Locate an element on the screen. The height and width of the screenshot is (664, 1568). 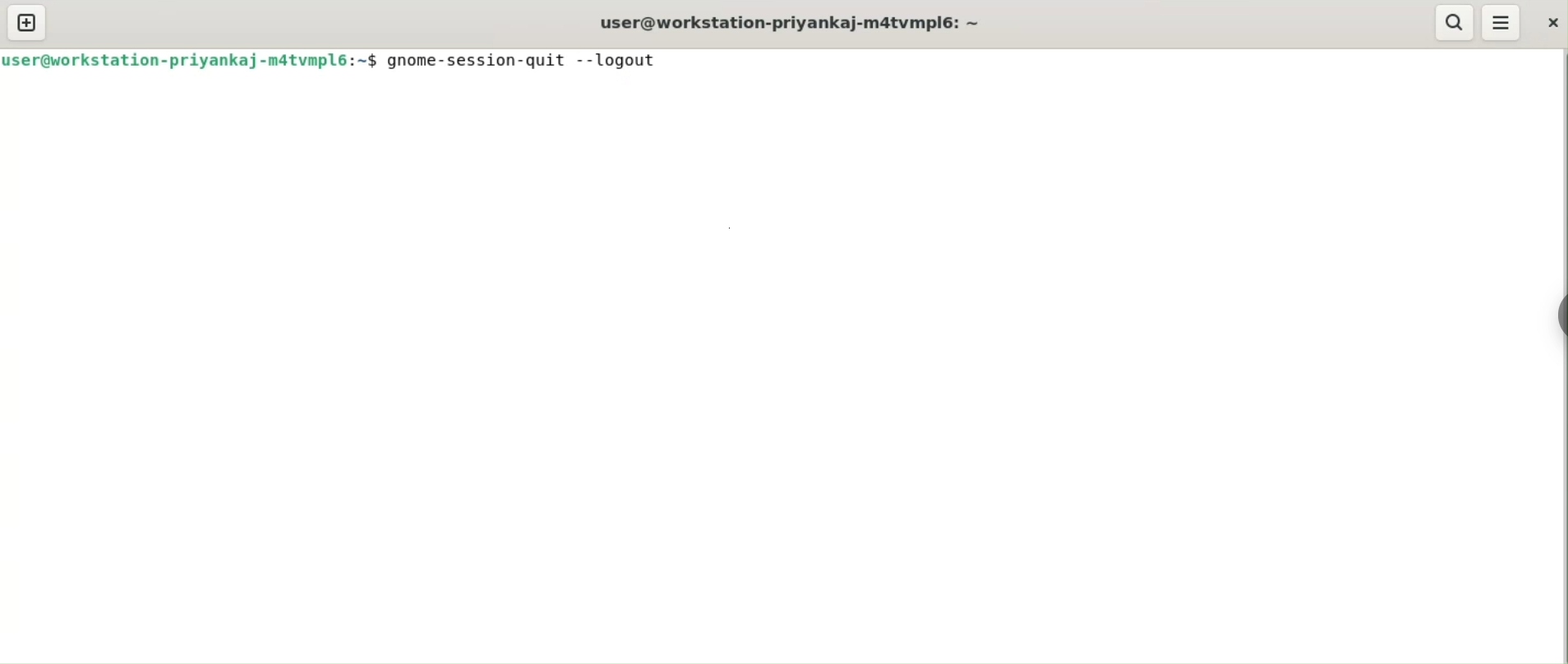
terminal title: user@workstation-priyankaj-m4tvmpl6: ~ is located at coordinates (793, 21).